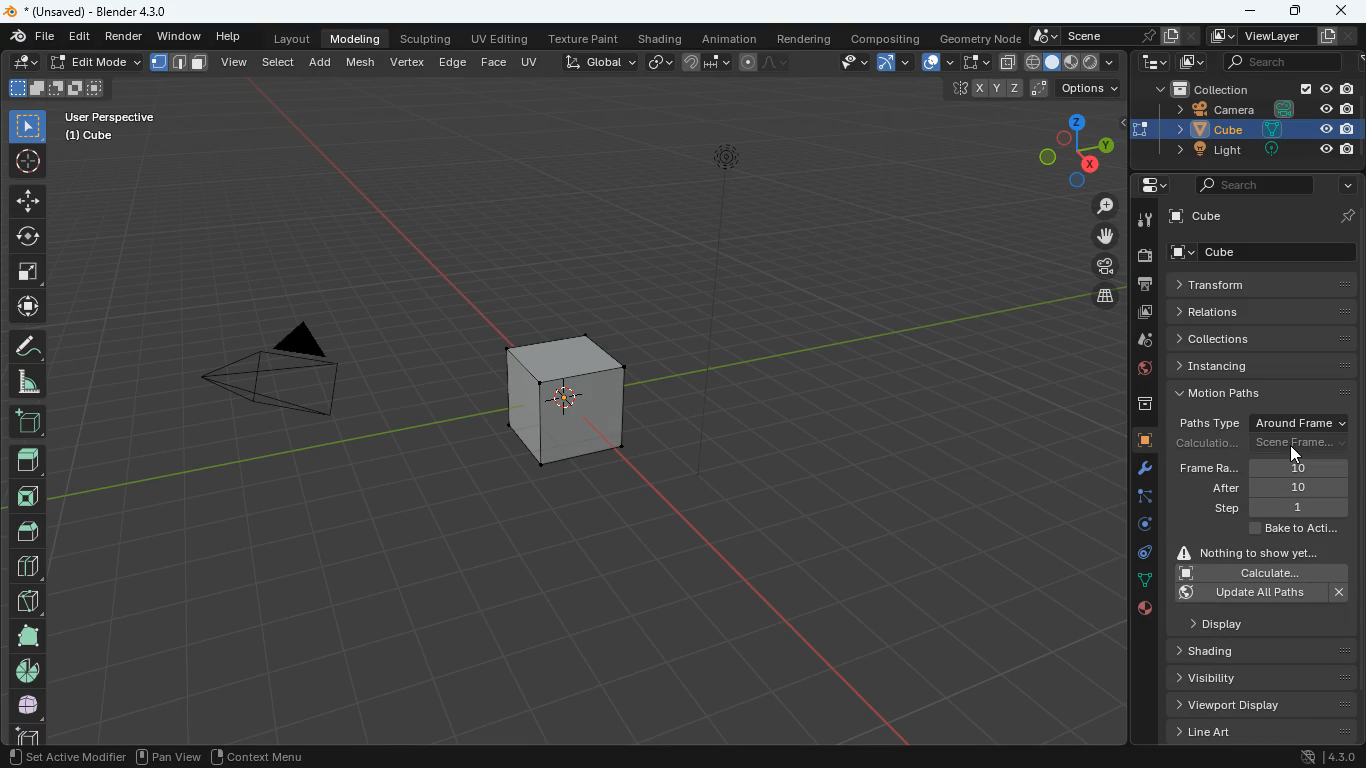 The image size is (1366, 768). What do you see at coordinates (259, 756) in the screenshot?
I see `context menu` at bounding box center [259, 756].